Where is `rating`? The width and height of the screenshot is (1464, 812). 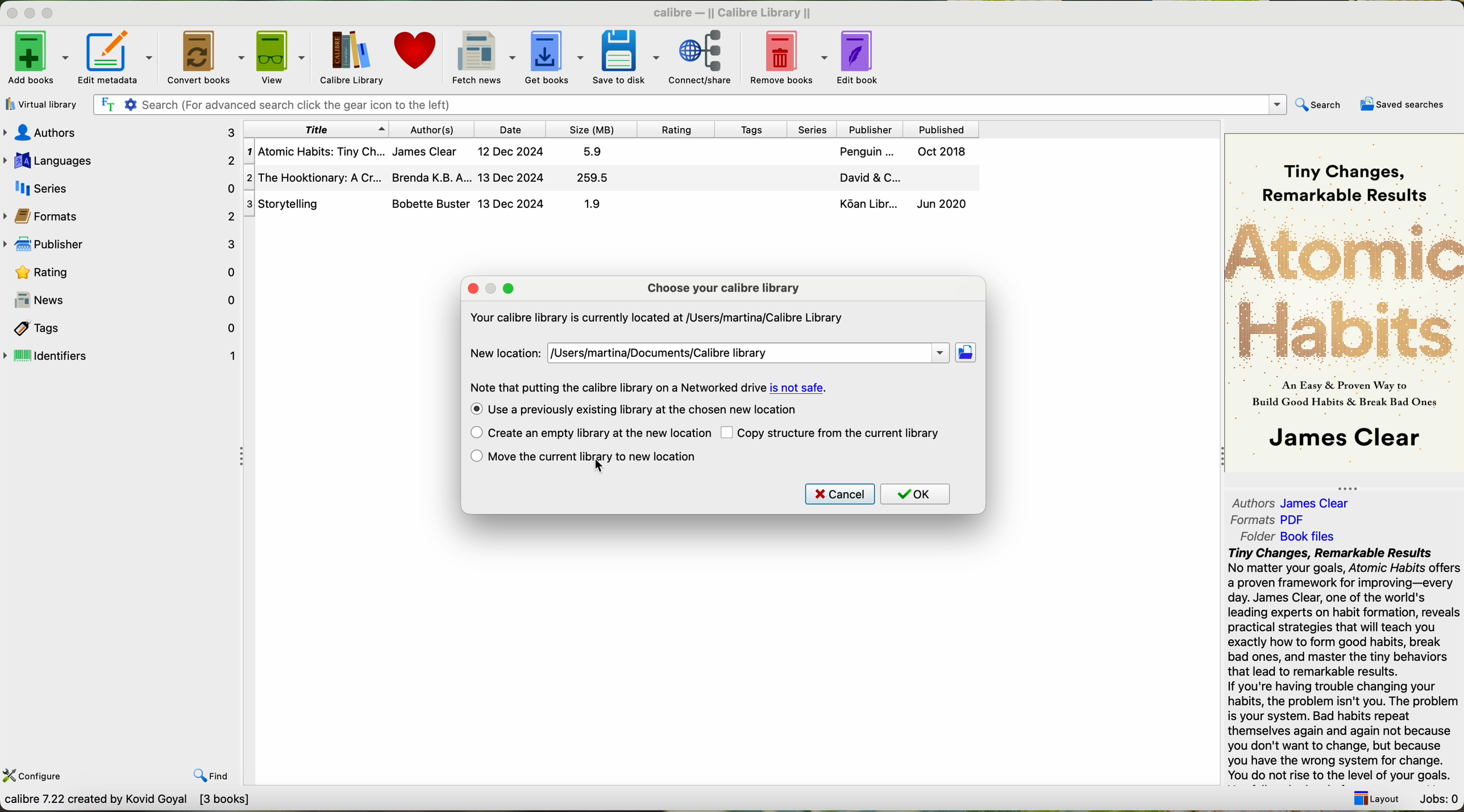
rating is located at coordinates (680, 129).